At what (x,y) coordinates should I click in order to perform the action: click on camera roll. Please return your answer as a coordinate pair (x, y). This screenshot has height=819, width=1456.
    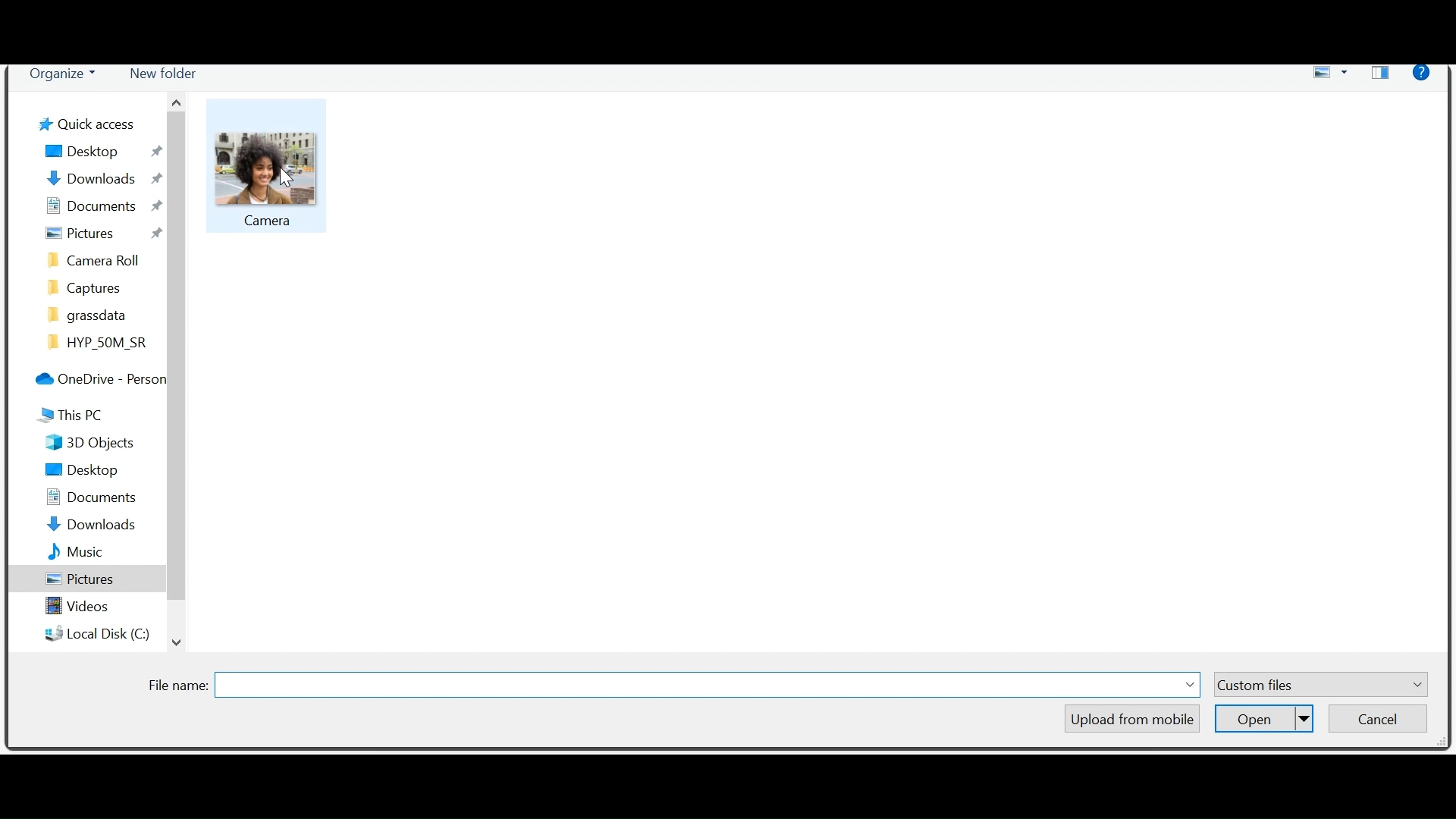
    Looking at the image, I should click on (95, 260).